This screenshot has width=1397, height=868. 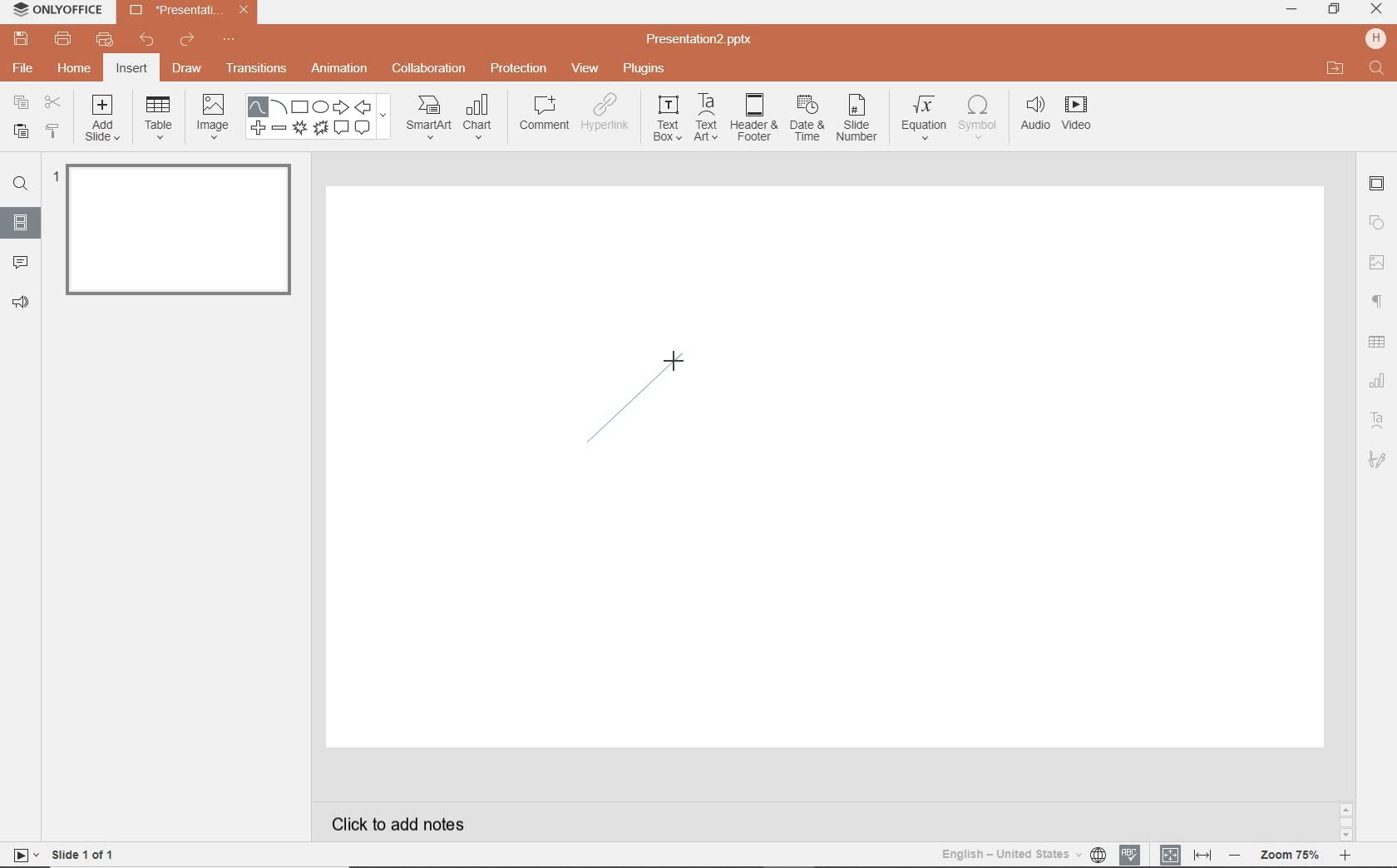 I want to click on SHAPE SETTINGS, so click(x=1378, y=223).